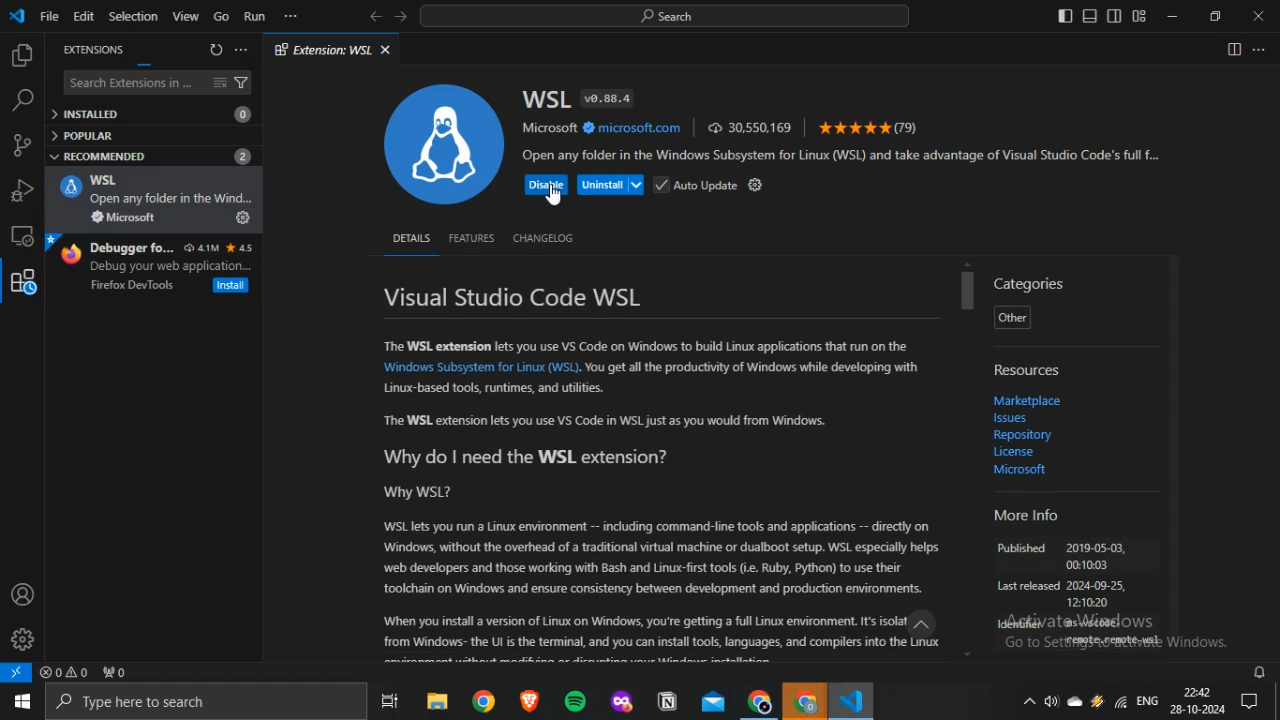 This screenshot has height=720, width=1280. I want to click on Linux-based tools, runtimes, and utilities., so click(494, 388).